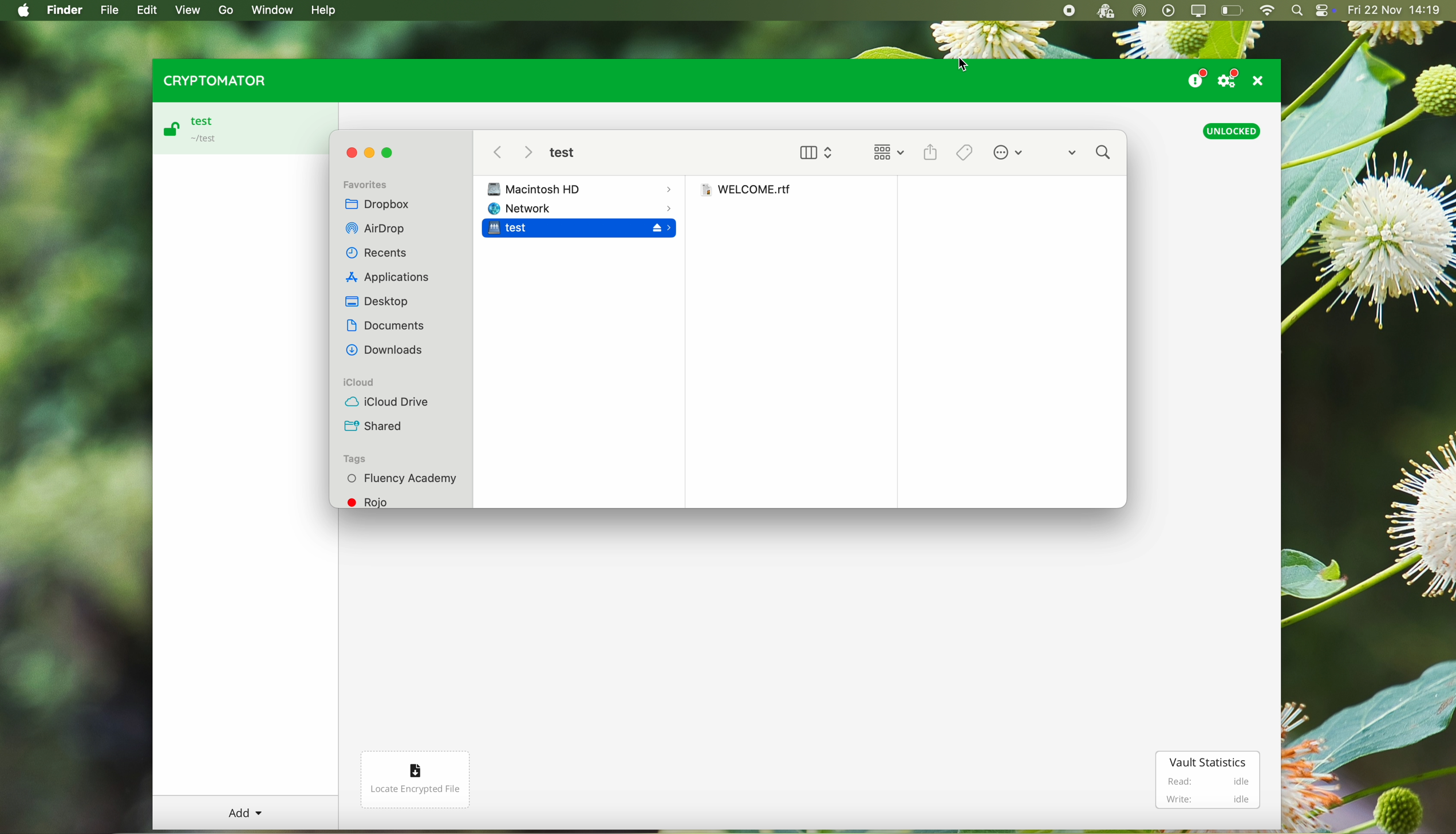 The height and width of the screenshot is (834, 1456). What do you see at coordinates (1201, 781) in the screenshot?
I see `Read: idle` at bounding box center [1201, 781].